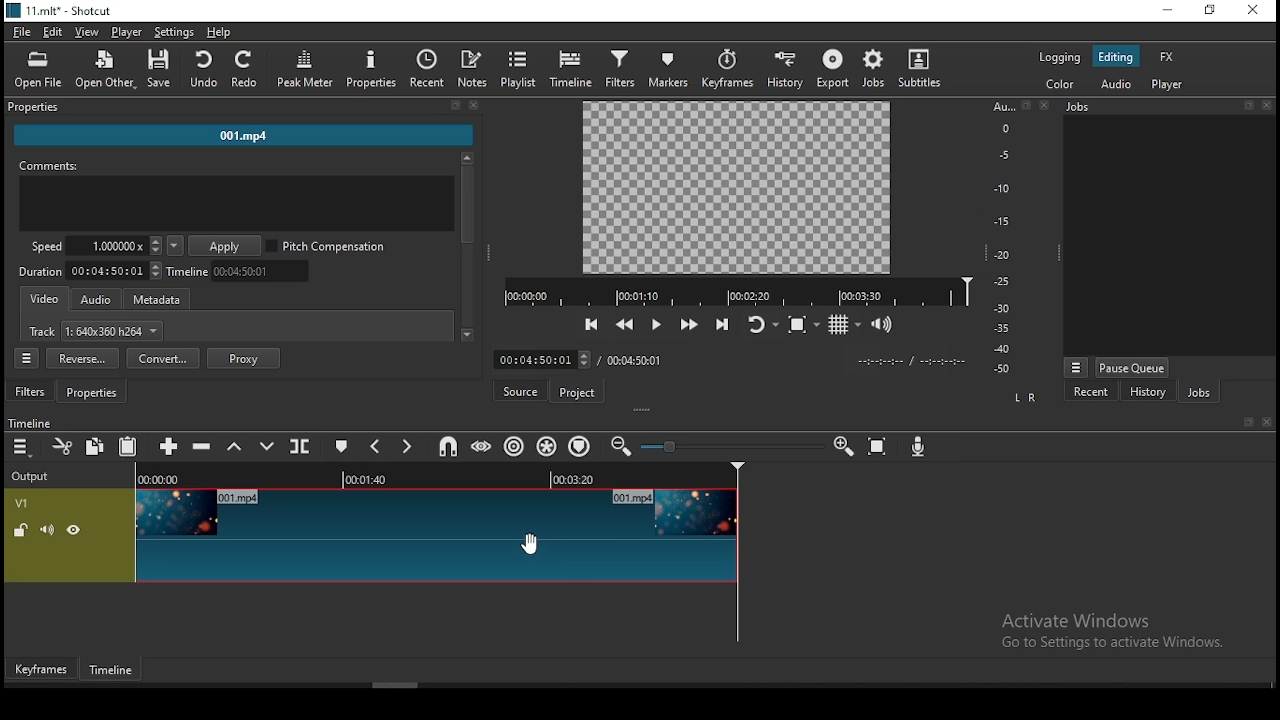 The image size is (1280, 720). Describe the element at coordinates (1059, 83) in the screenshot. I see `color` at that location.